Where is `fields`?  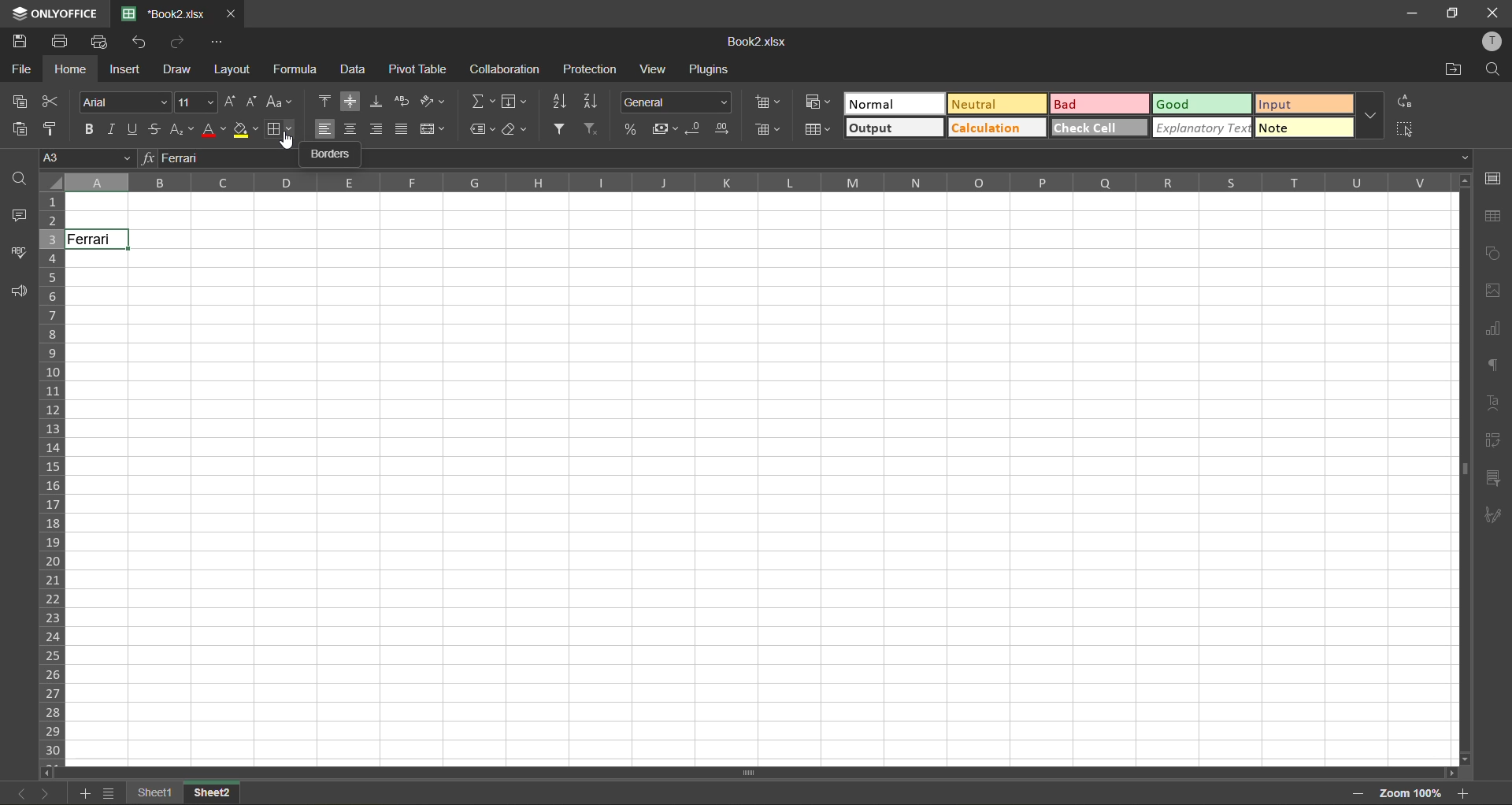 fields is located at coordinates (515, 102).